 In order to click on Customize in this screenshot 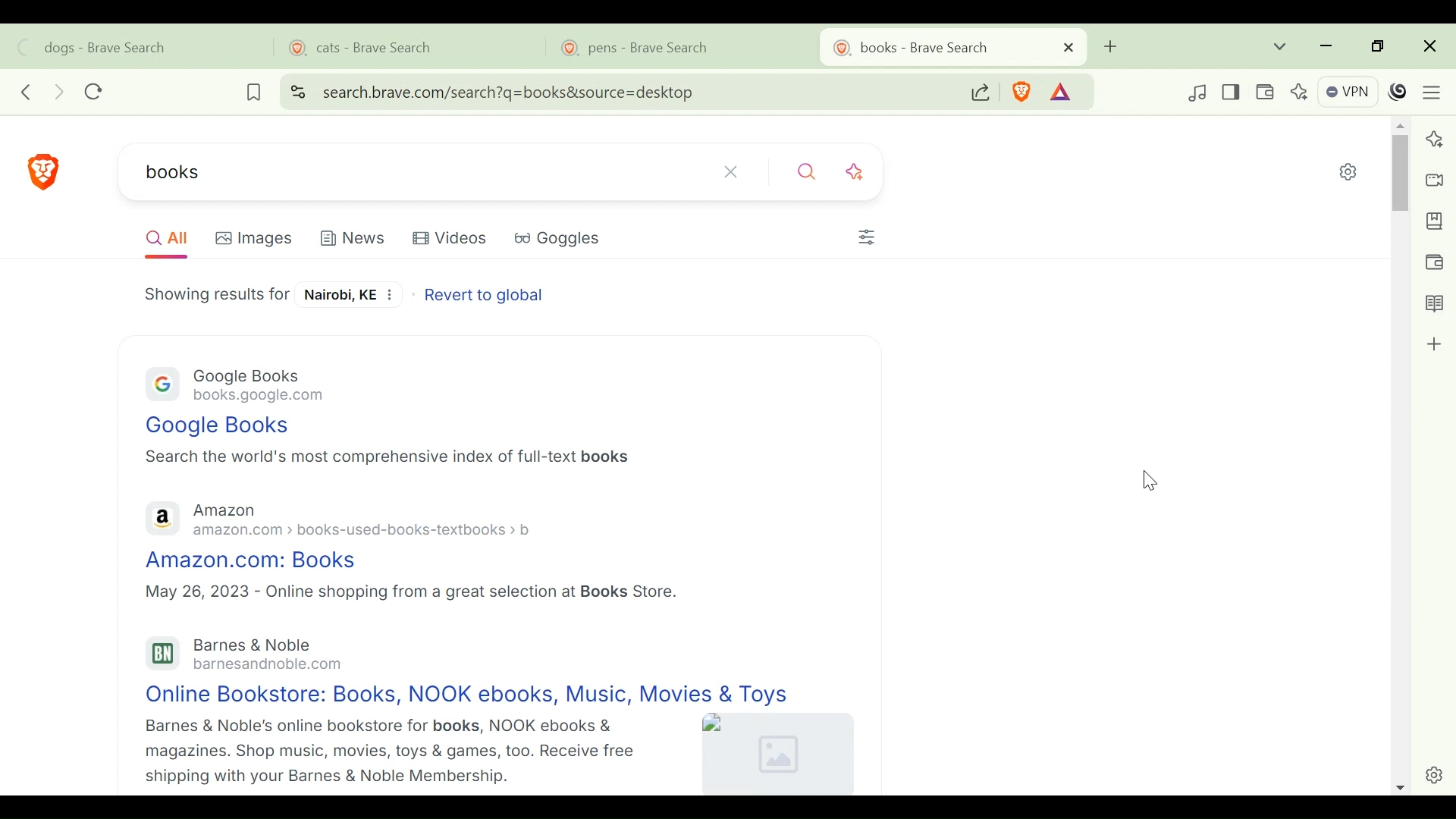, I will do `click(868, 238)`.